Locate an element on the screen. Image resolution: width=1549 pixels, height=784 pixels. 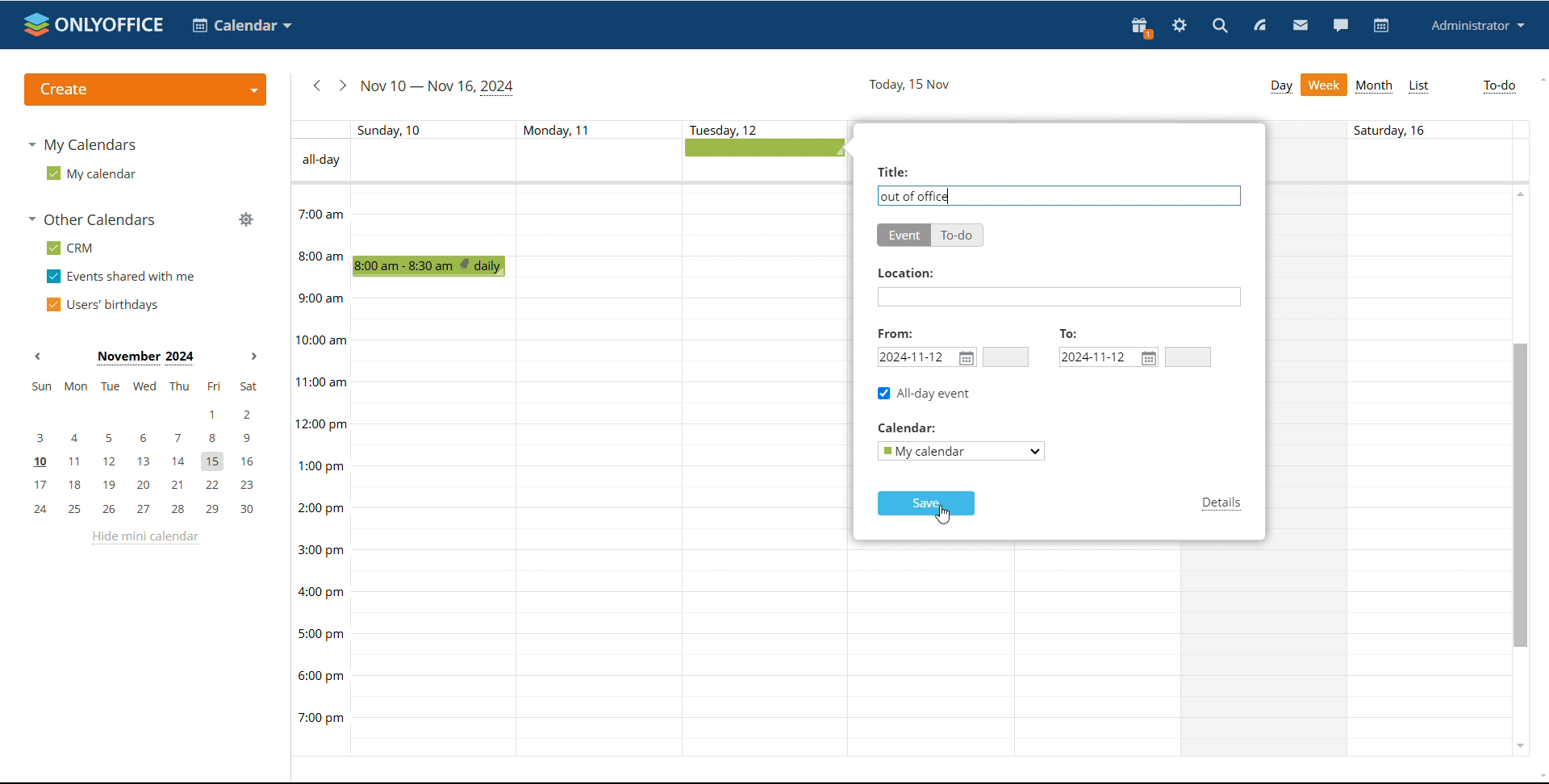
to-do is located at coordinates (958, 235).